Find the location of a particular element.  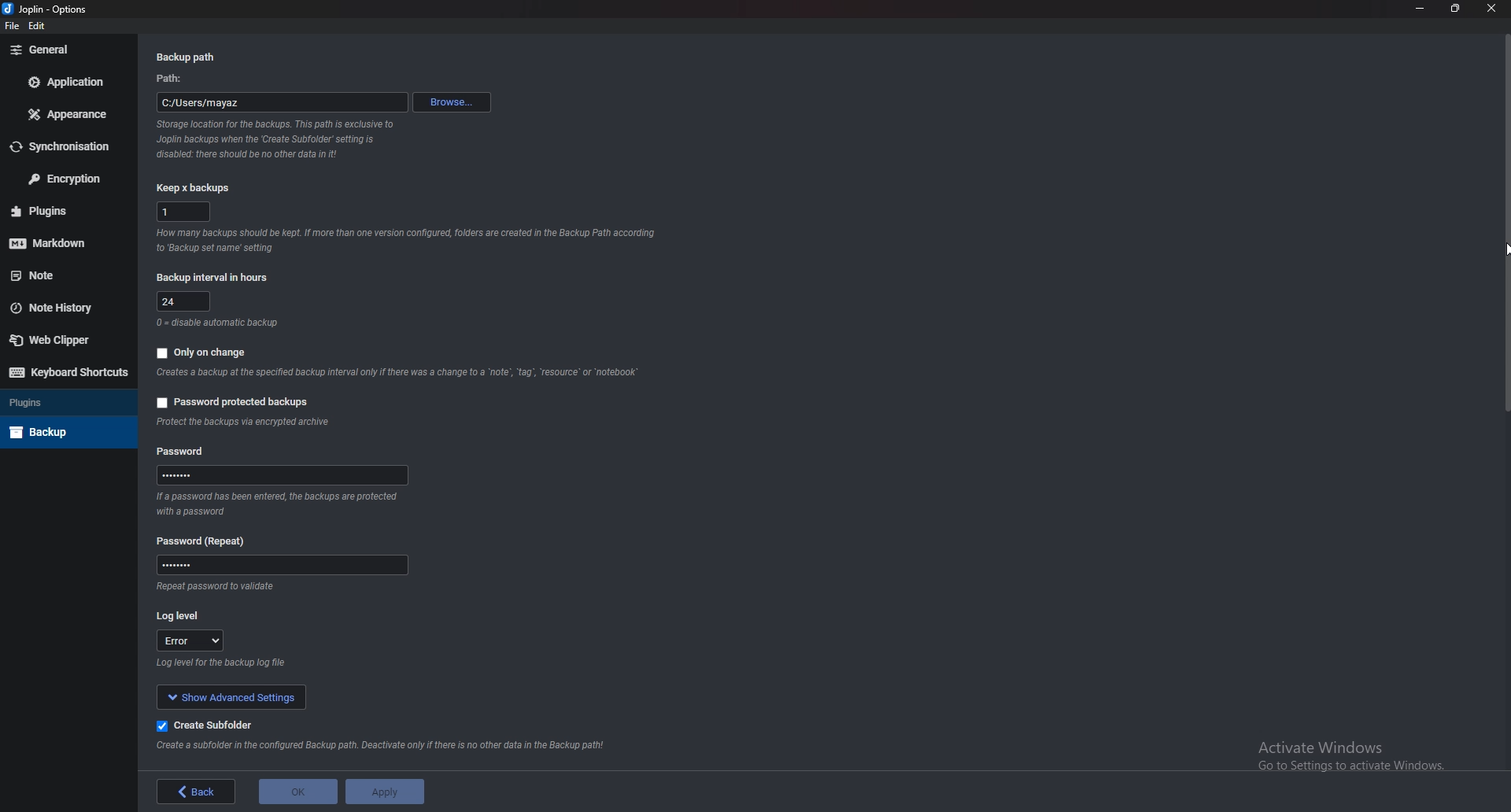

Encryption is located at coordinates (65, 178).